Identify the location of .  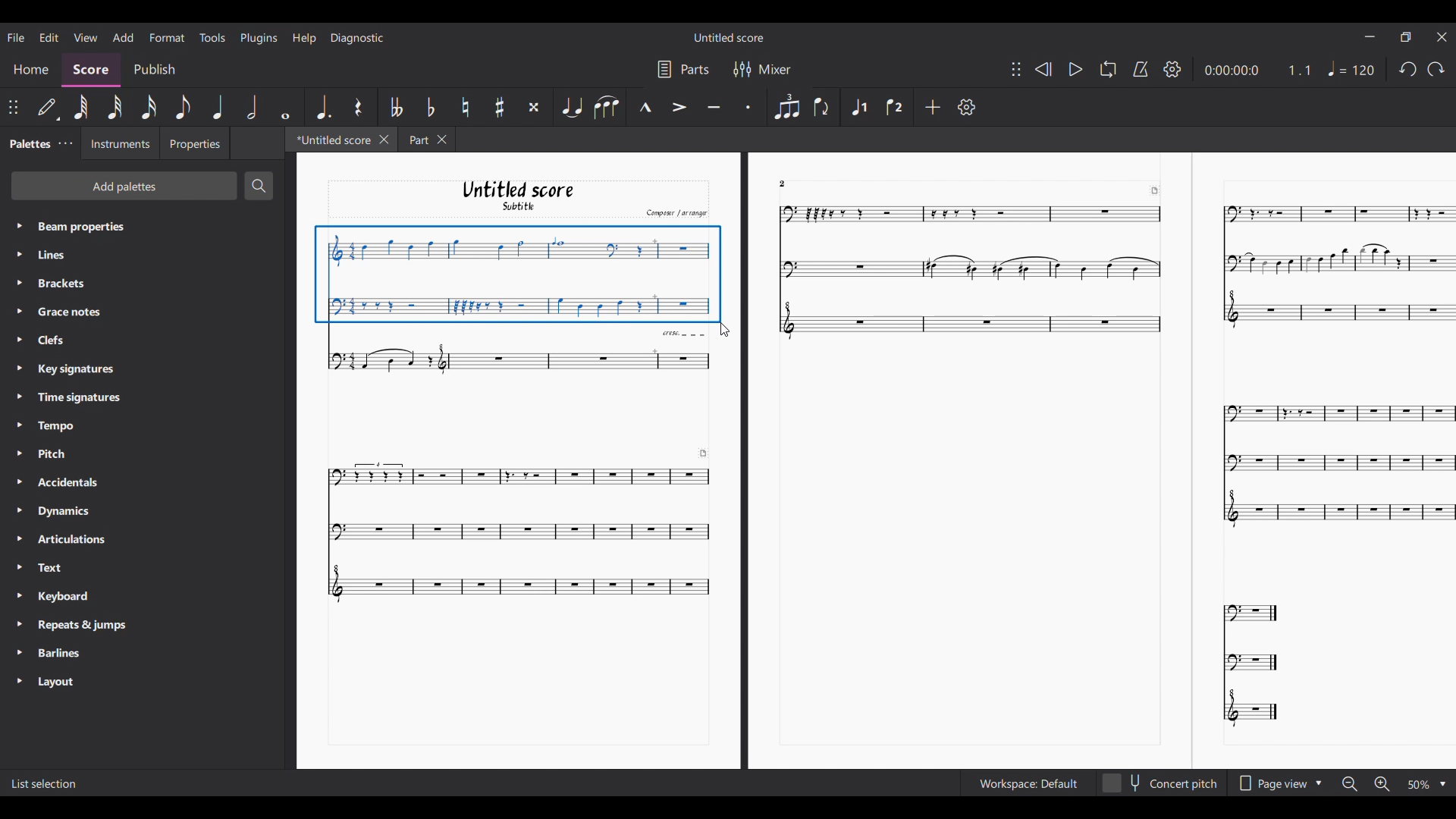
(1250, 661).